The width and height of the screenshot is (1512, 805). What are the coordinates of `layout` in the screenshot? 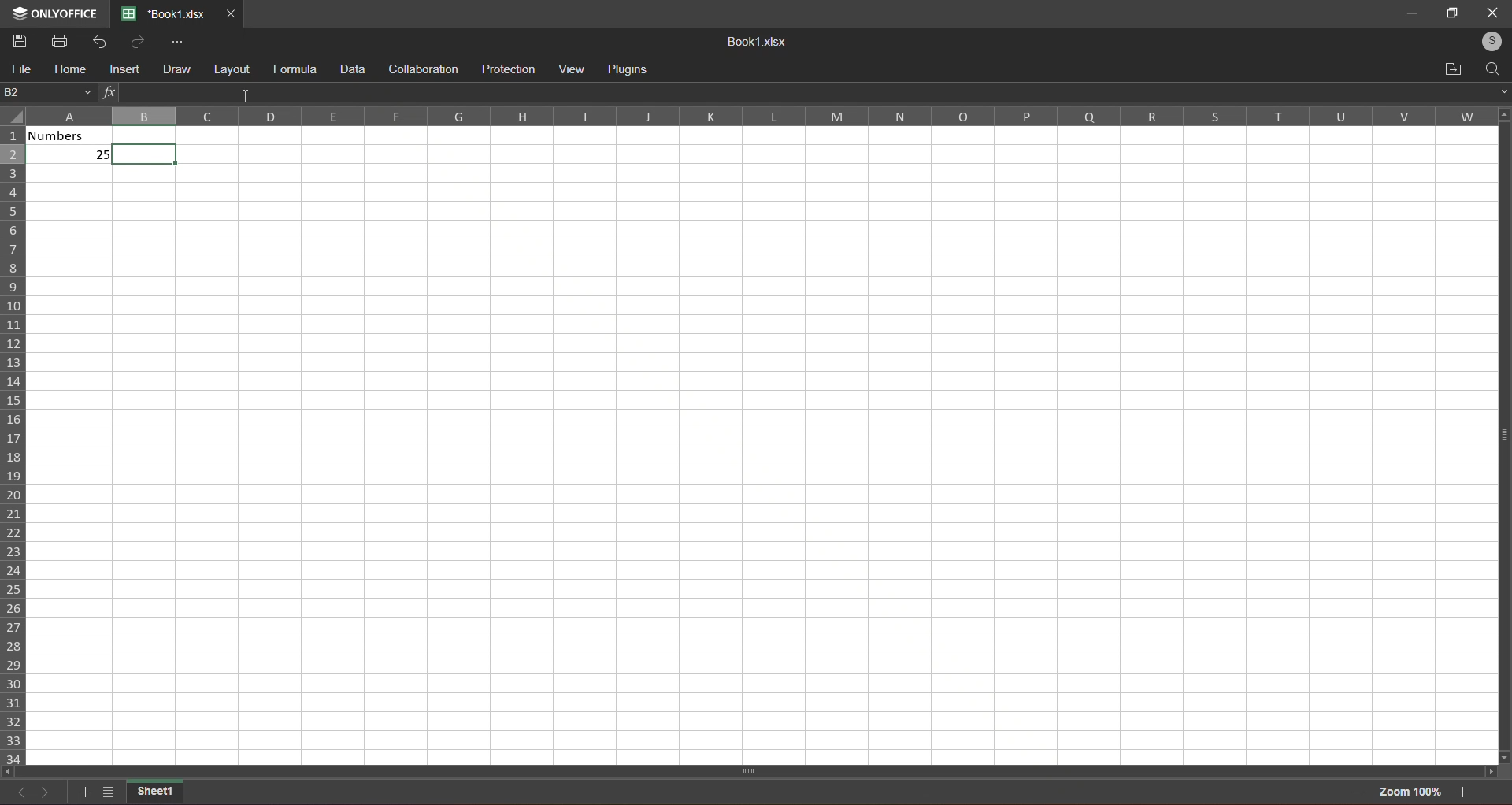 It's located at (231, 69).